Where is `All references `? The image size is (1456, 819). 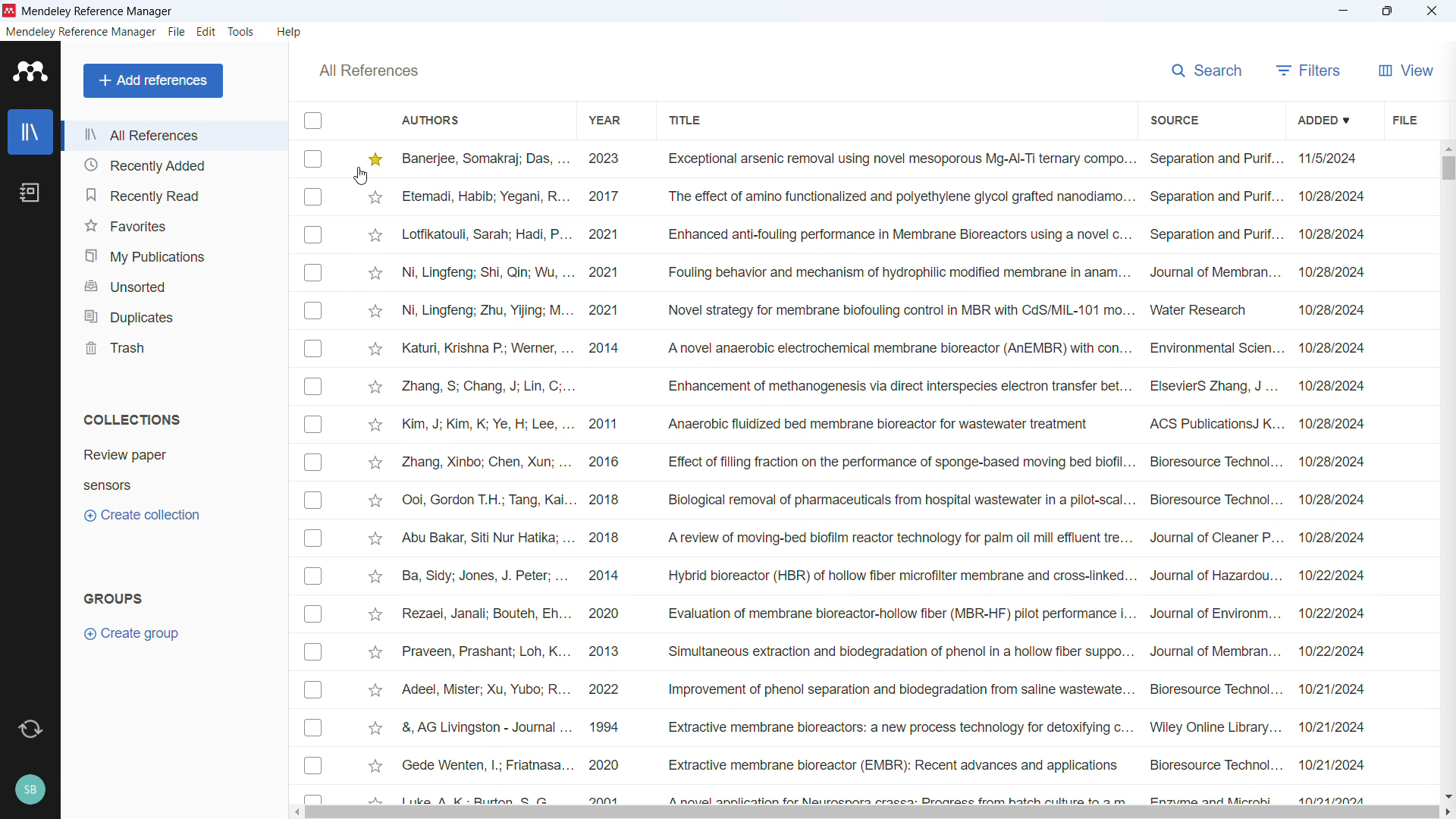 All references  is located at coordinates (369, 70).